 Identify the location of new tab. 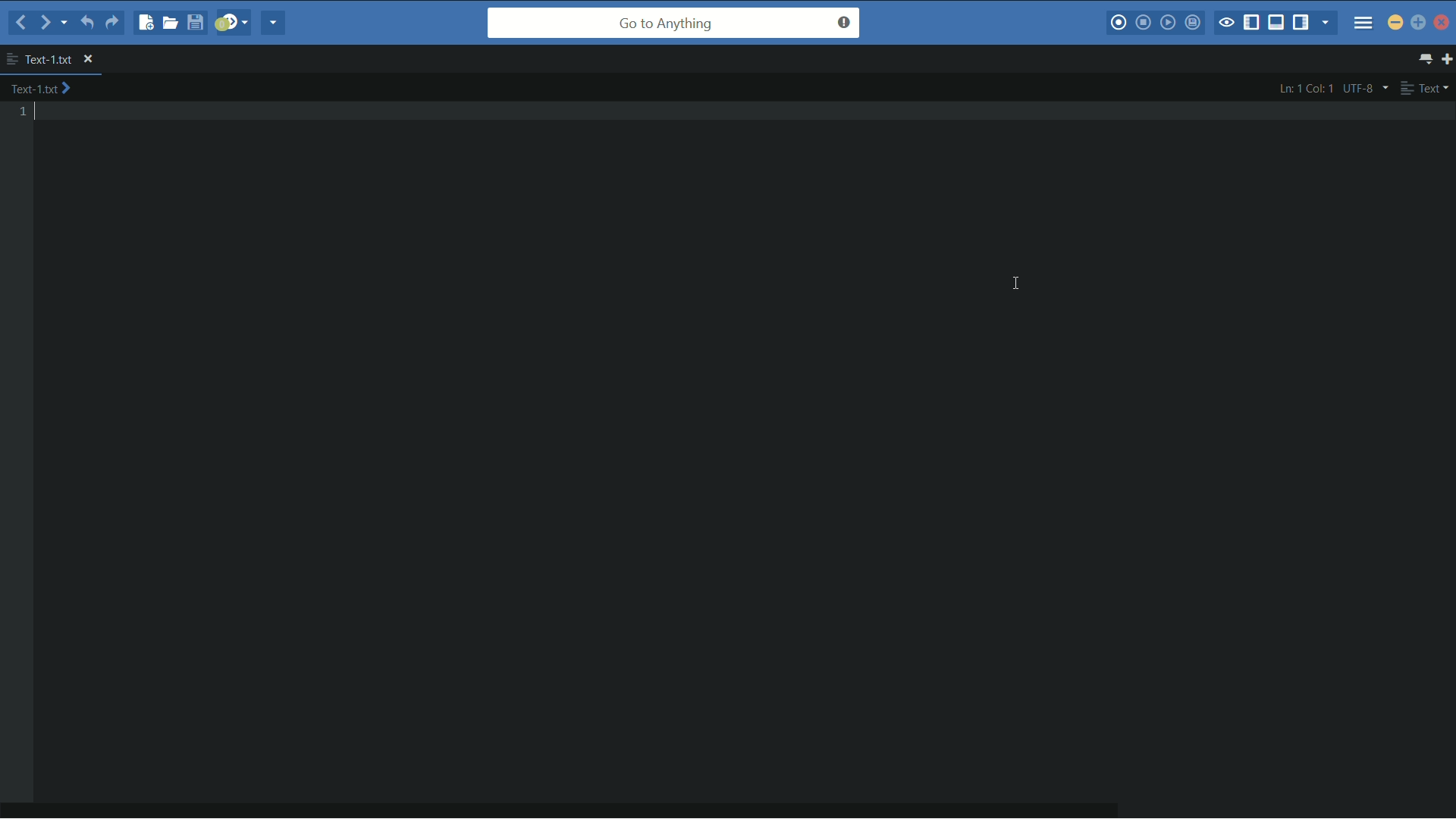
(1447, 58).